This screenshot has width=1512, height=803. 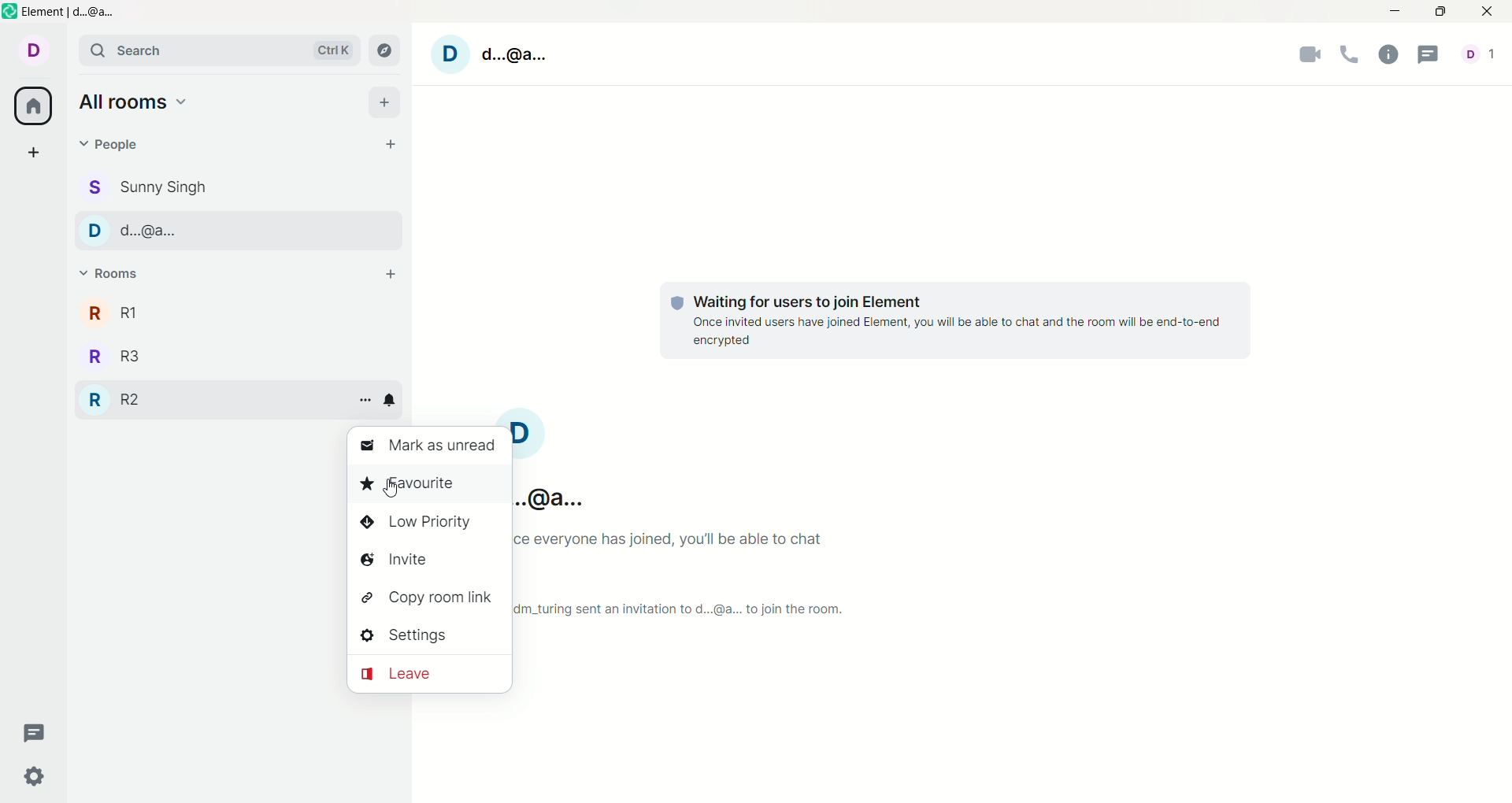 I want to click on all rooms, so click(x=32, y=107).